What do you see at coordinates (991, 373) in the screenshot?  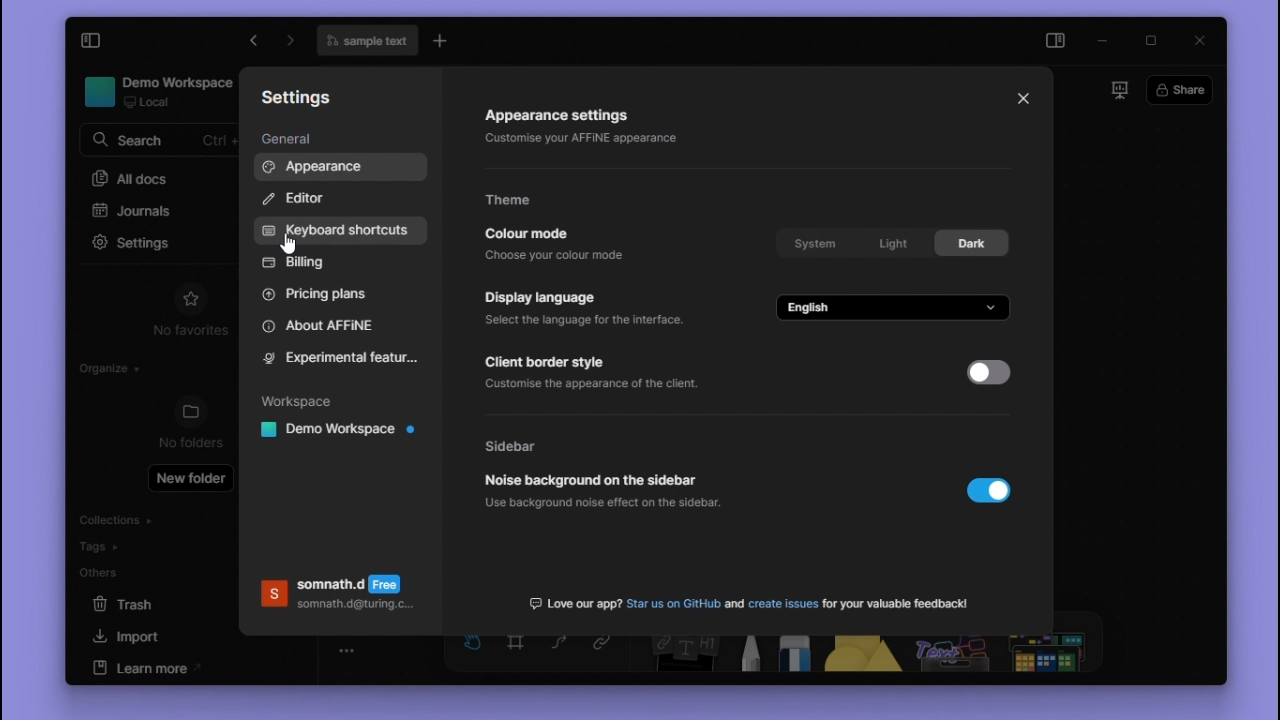 I see `Toggle switch` at bounding box center [991, 373].